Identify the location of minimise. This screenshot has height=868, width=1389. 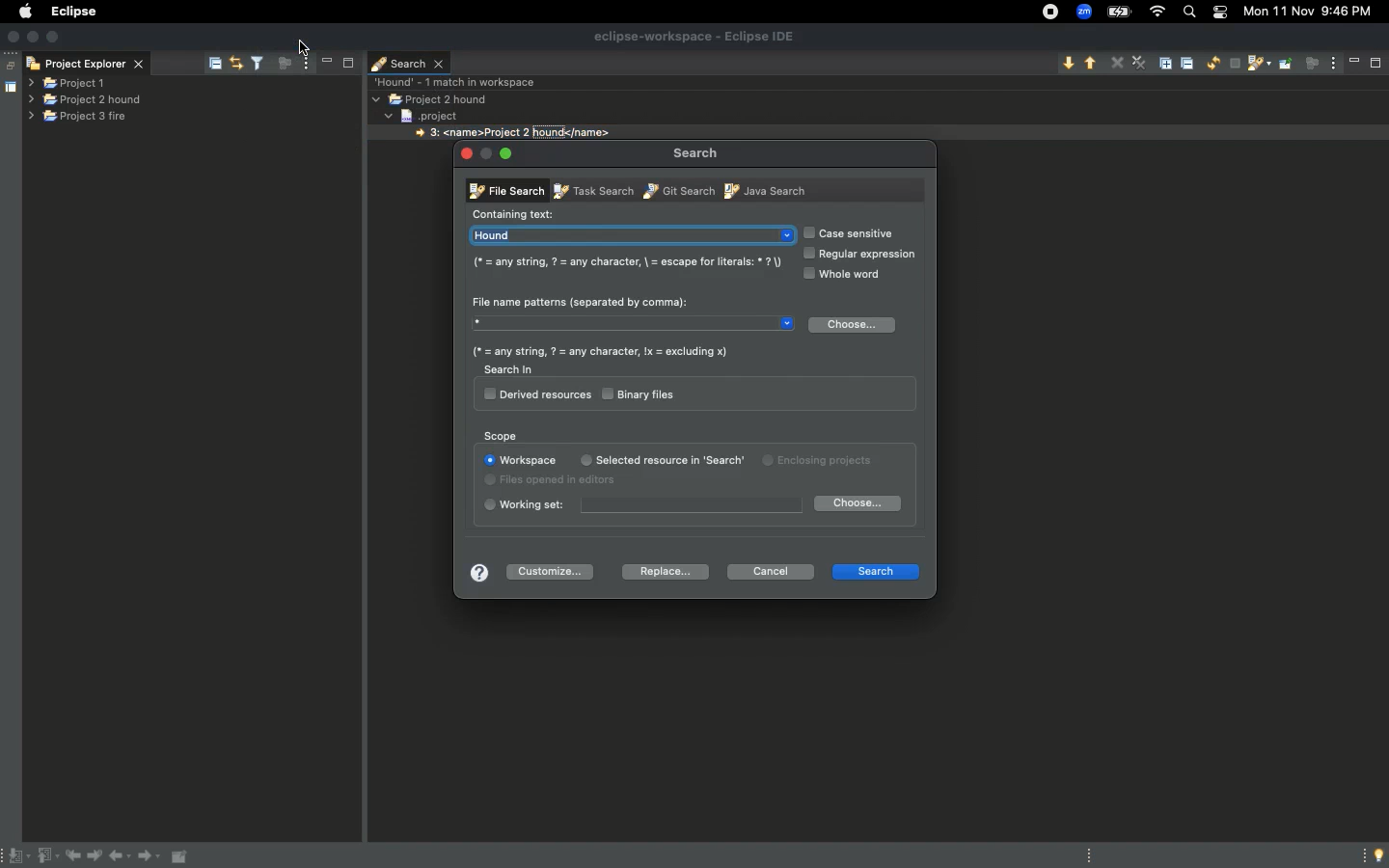
(486, 152).